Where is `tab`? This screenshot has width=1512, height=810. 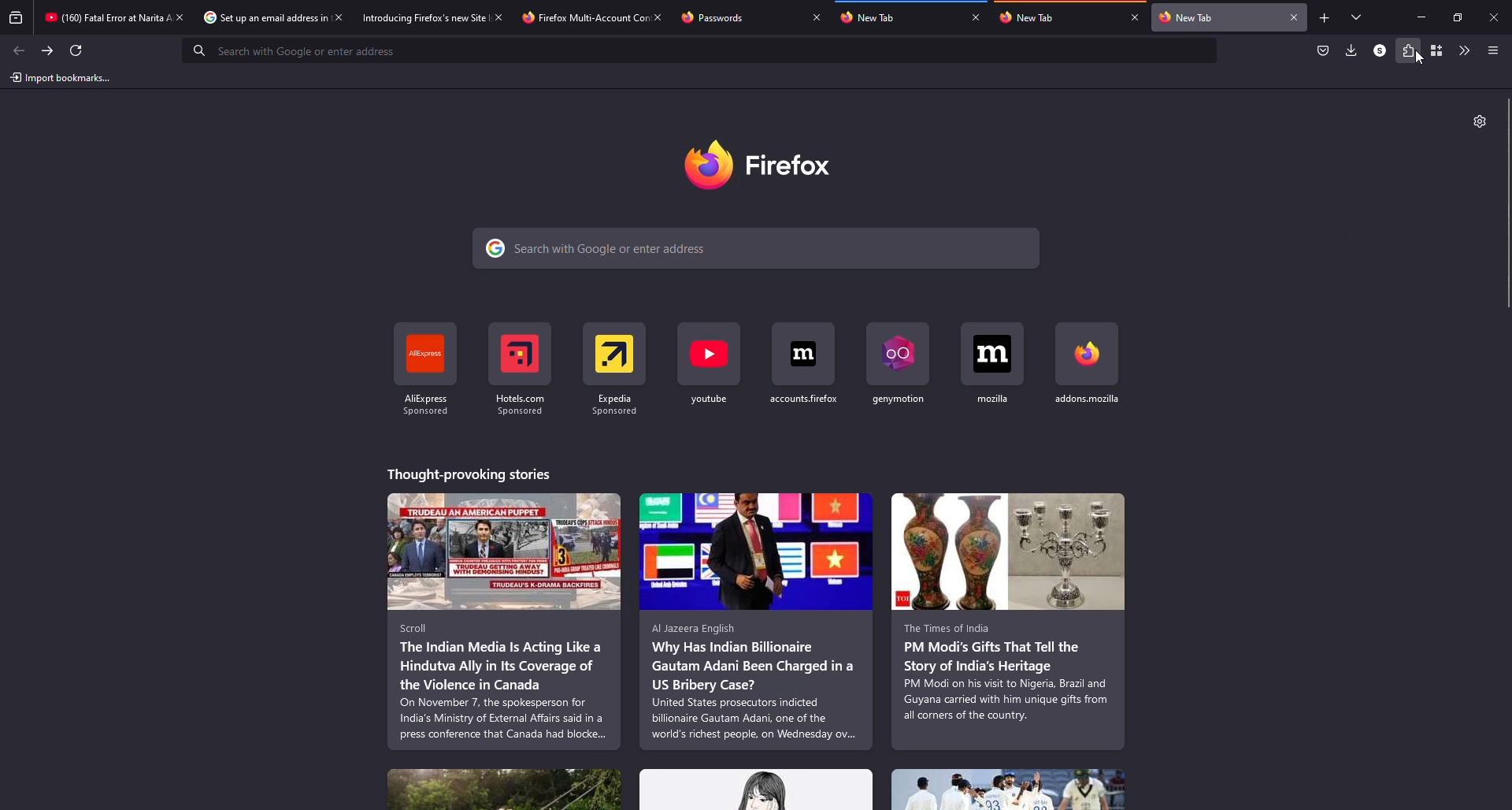
tab is located at coordinates (410, 17).